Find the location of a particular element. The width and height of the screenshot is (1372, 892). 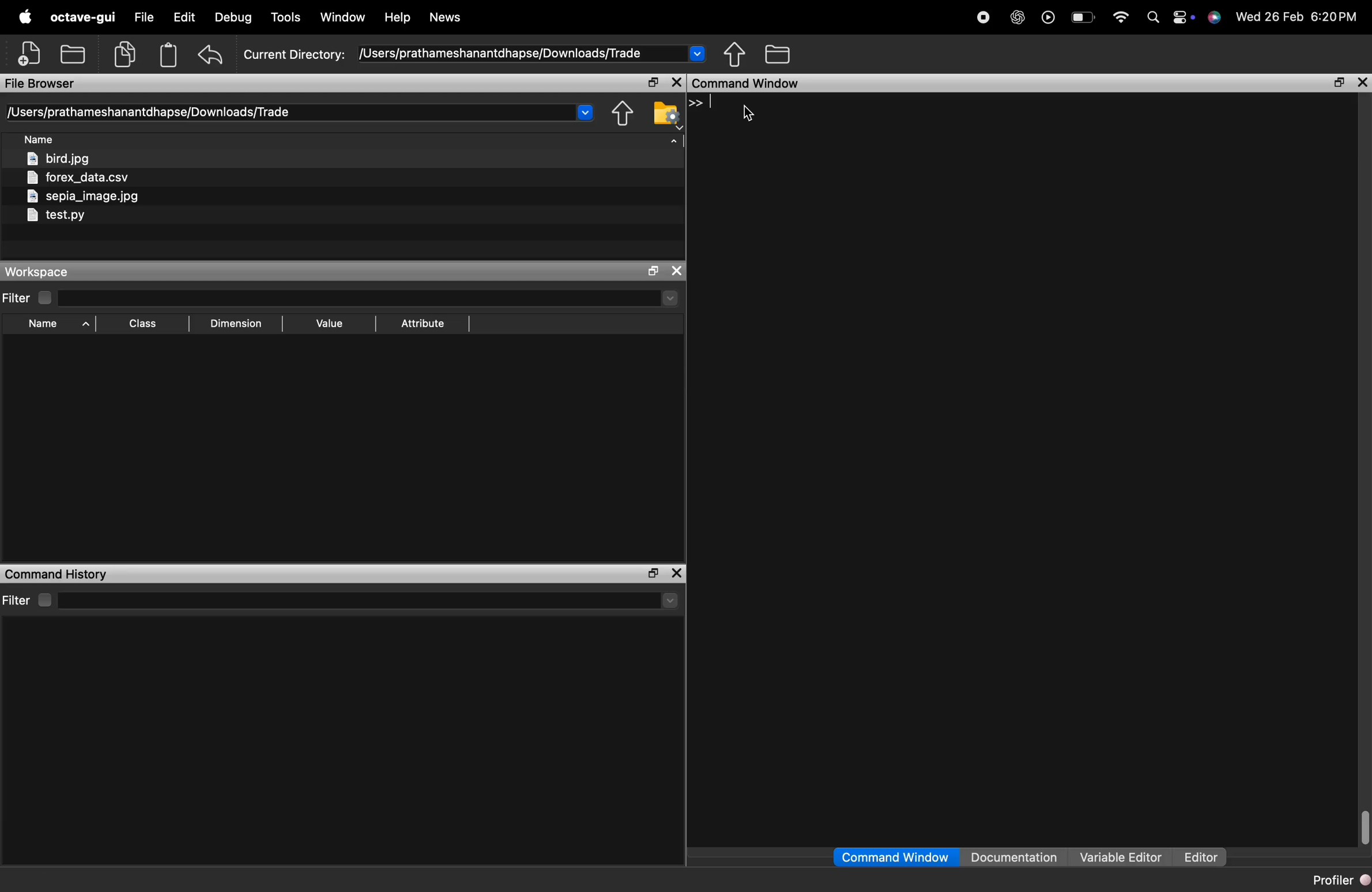

scroll bar is located at coordinates (1363, 826).